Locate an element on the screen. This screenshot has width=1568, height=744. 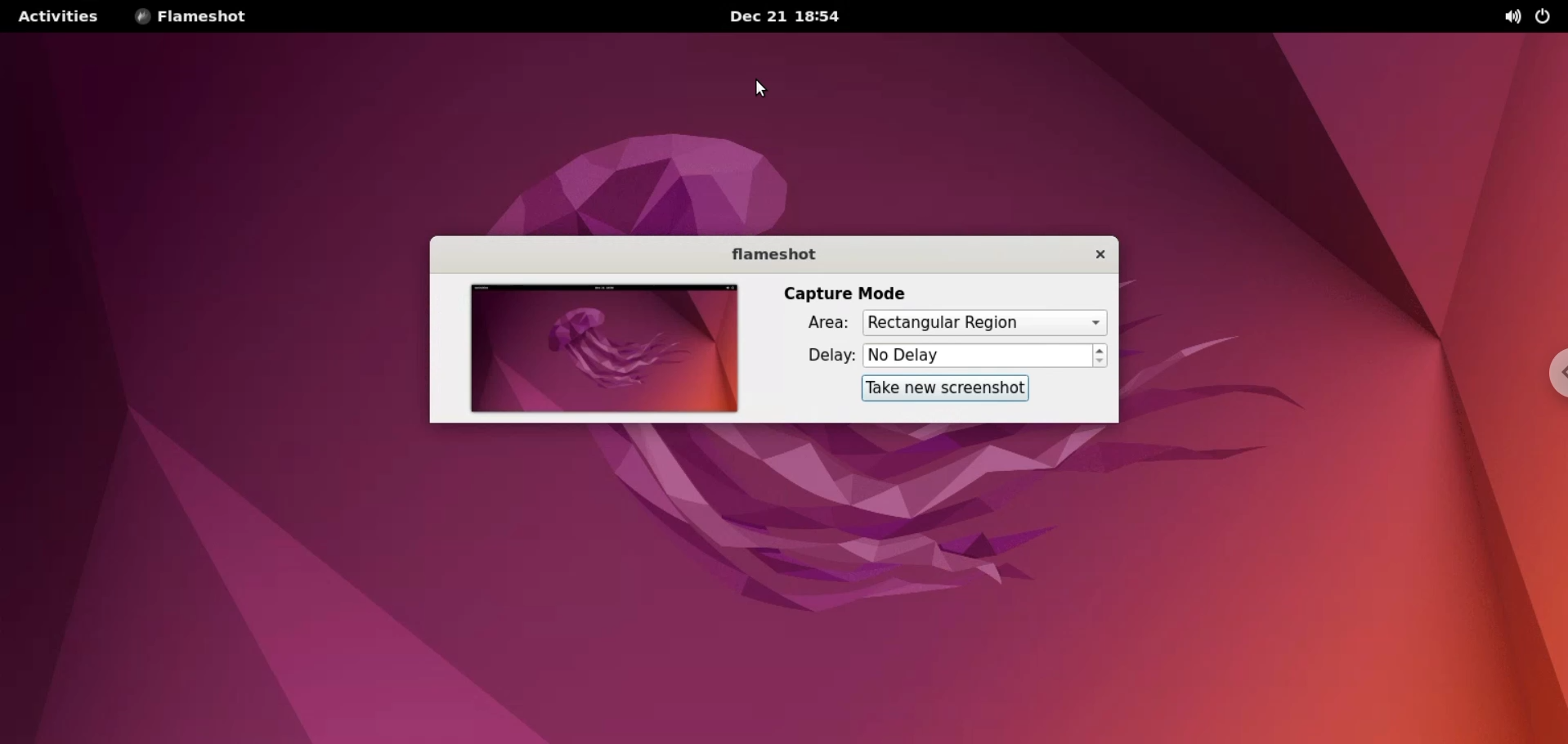
Dec 21 18:54 is located at coordinates (792, 16).